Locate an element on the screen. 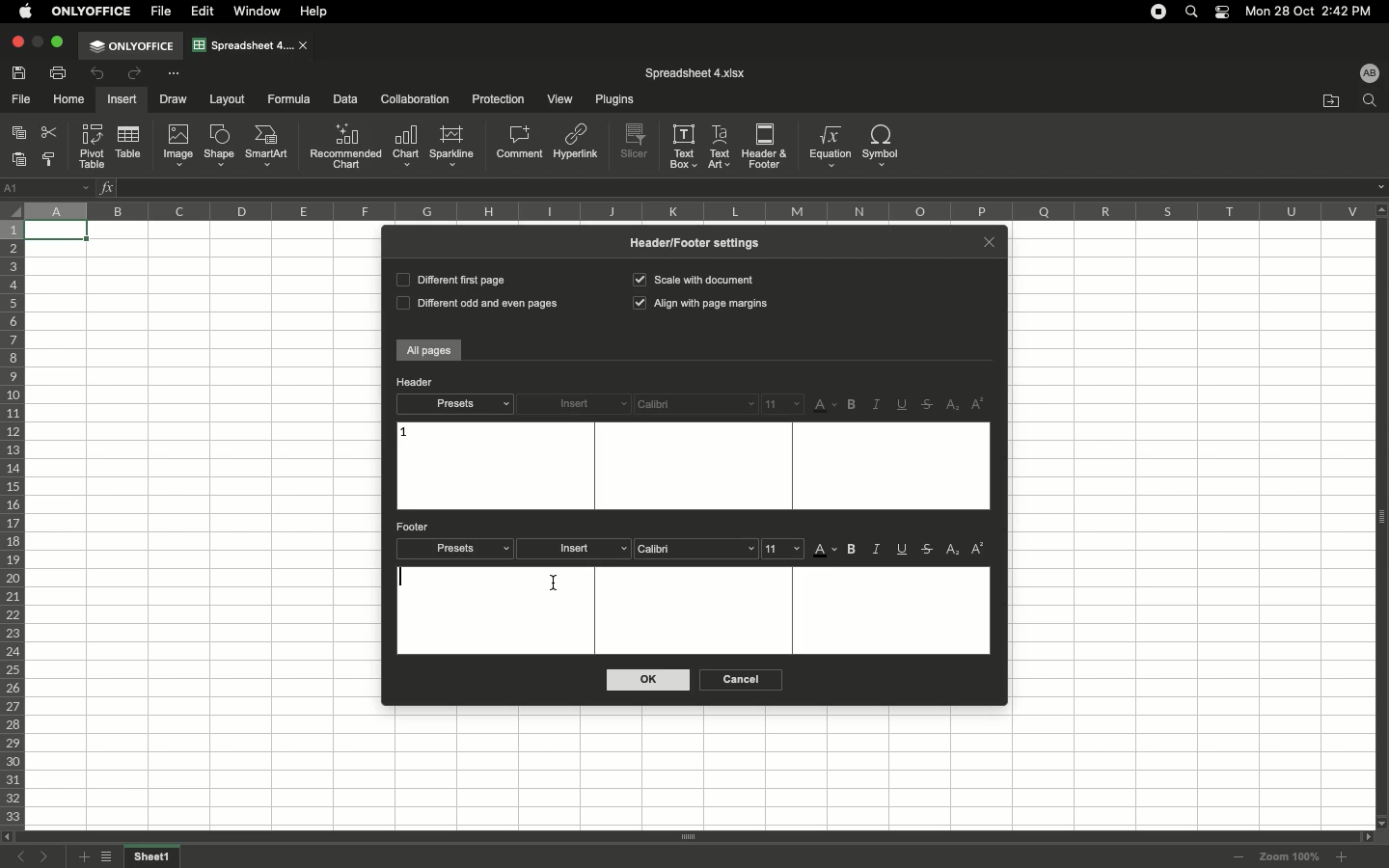  Selector is located at coordinates (11, 207).